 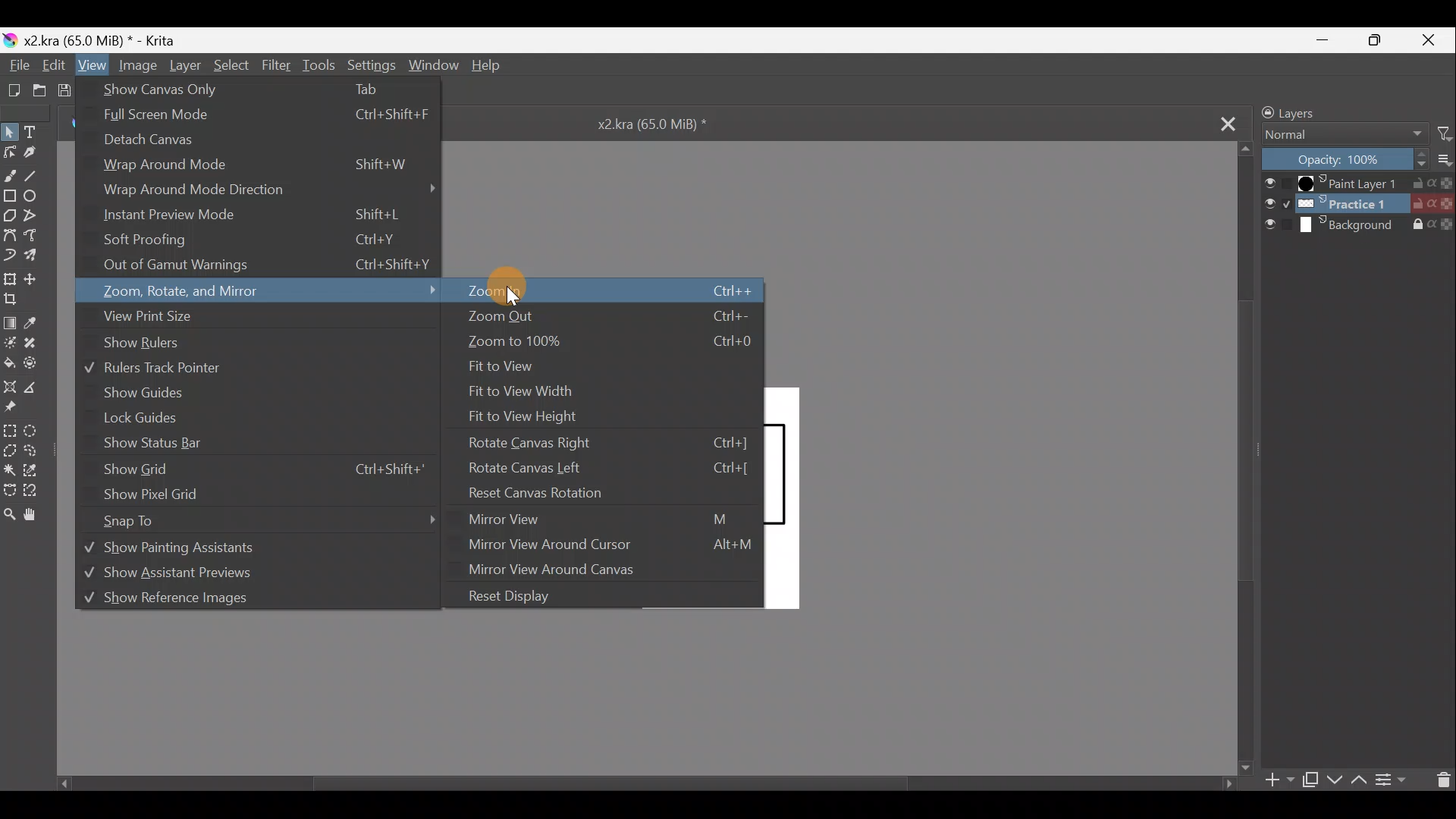 What do you see at coordinates (140, 343) in the screenshot?
I see `Show rulers` at bounding box center [140, 343].